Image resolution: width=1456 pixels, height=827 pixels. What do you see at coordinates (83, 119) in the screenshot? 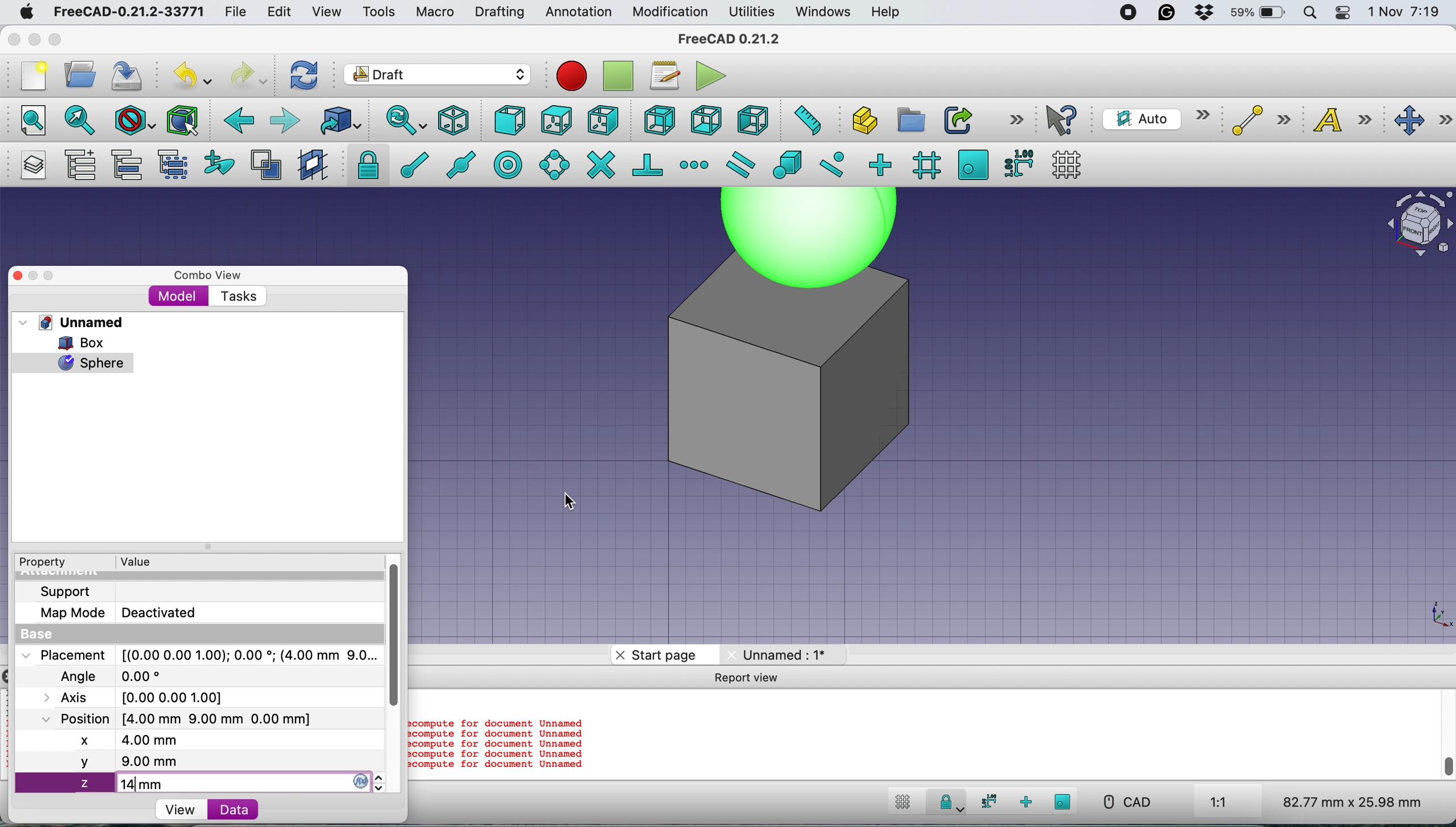
I see `fit selections` at bounding box center [83, 119].